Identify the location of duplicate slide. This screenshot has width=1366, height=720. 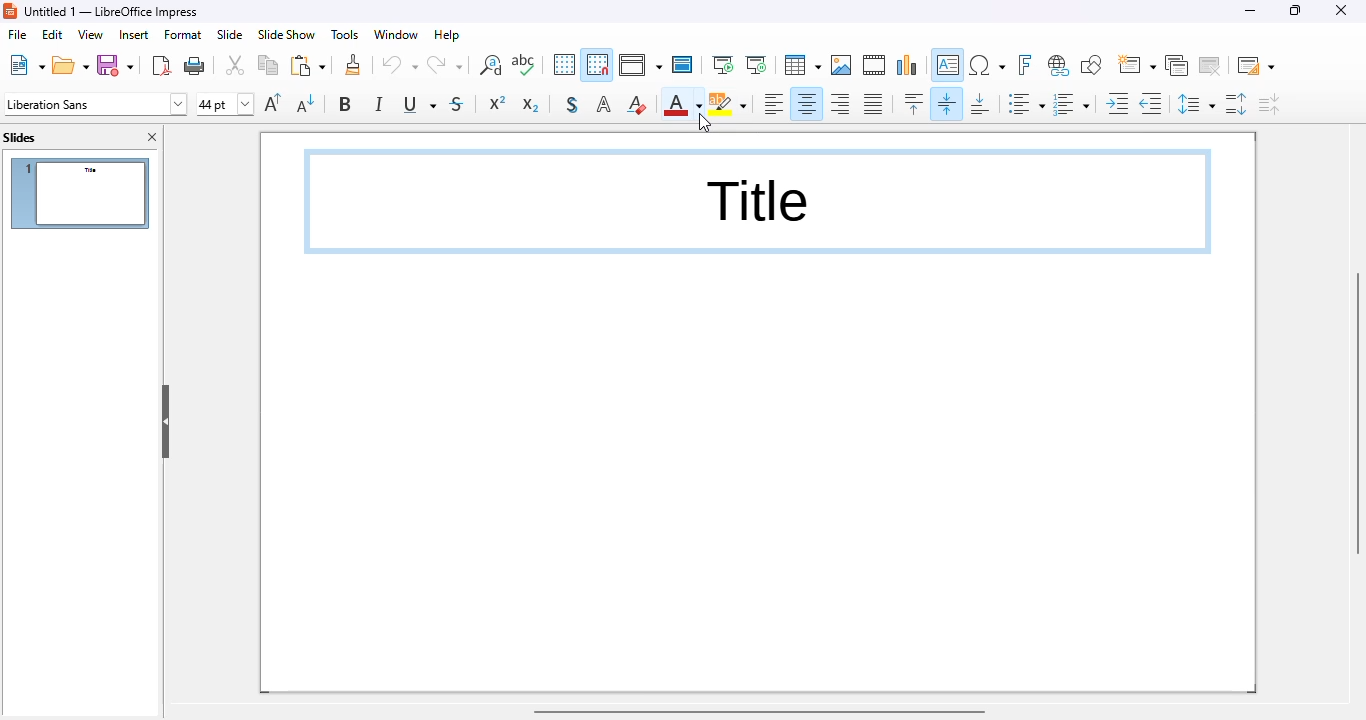
(1177, 65).